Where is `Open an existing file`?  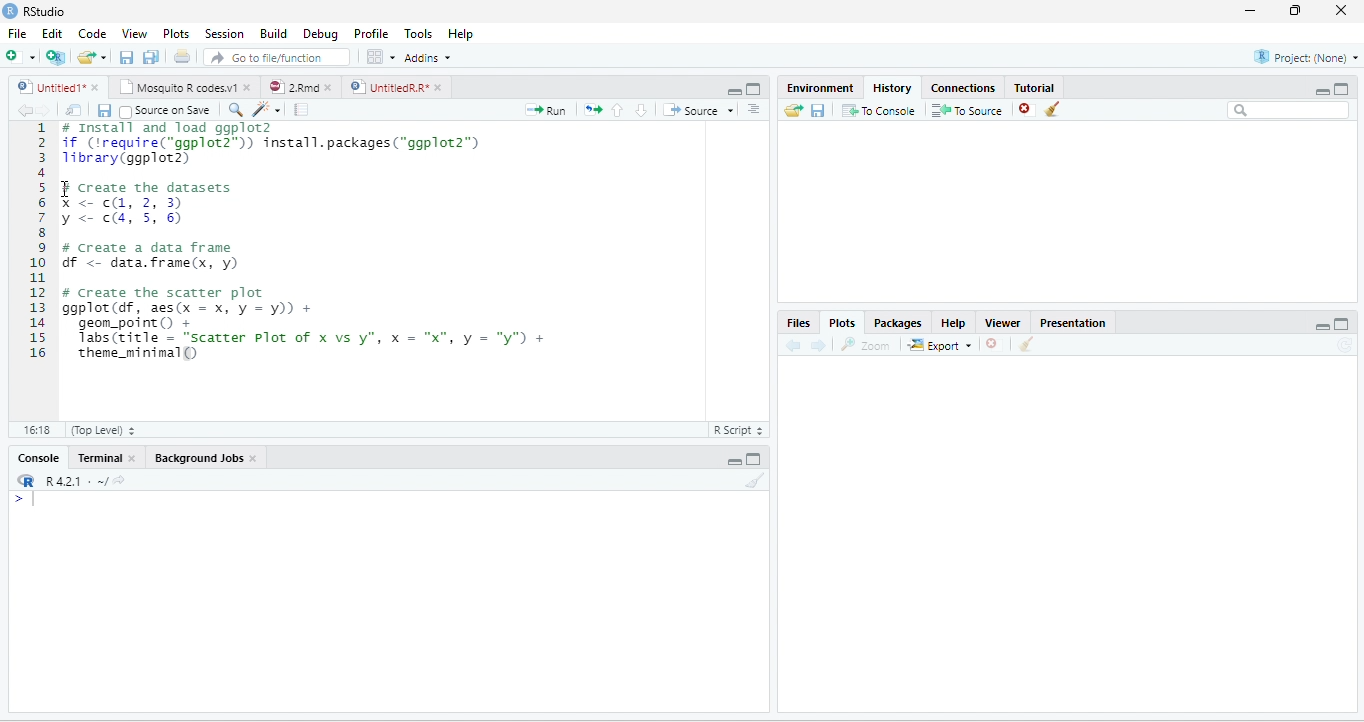
Open an existing file is located at coordinates (86, 57).